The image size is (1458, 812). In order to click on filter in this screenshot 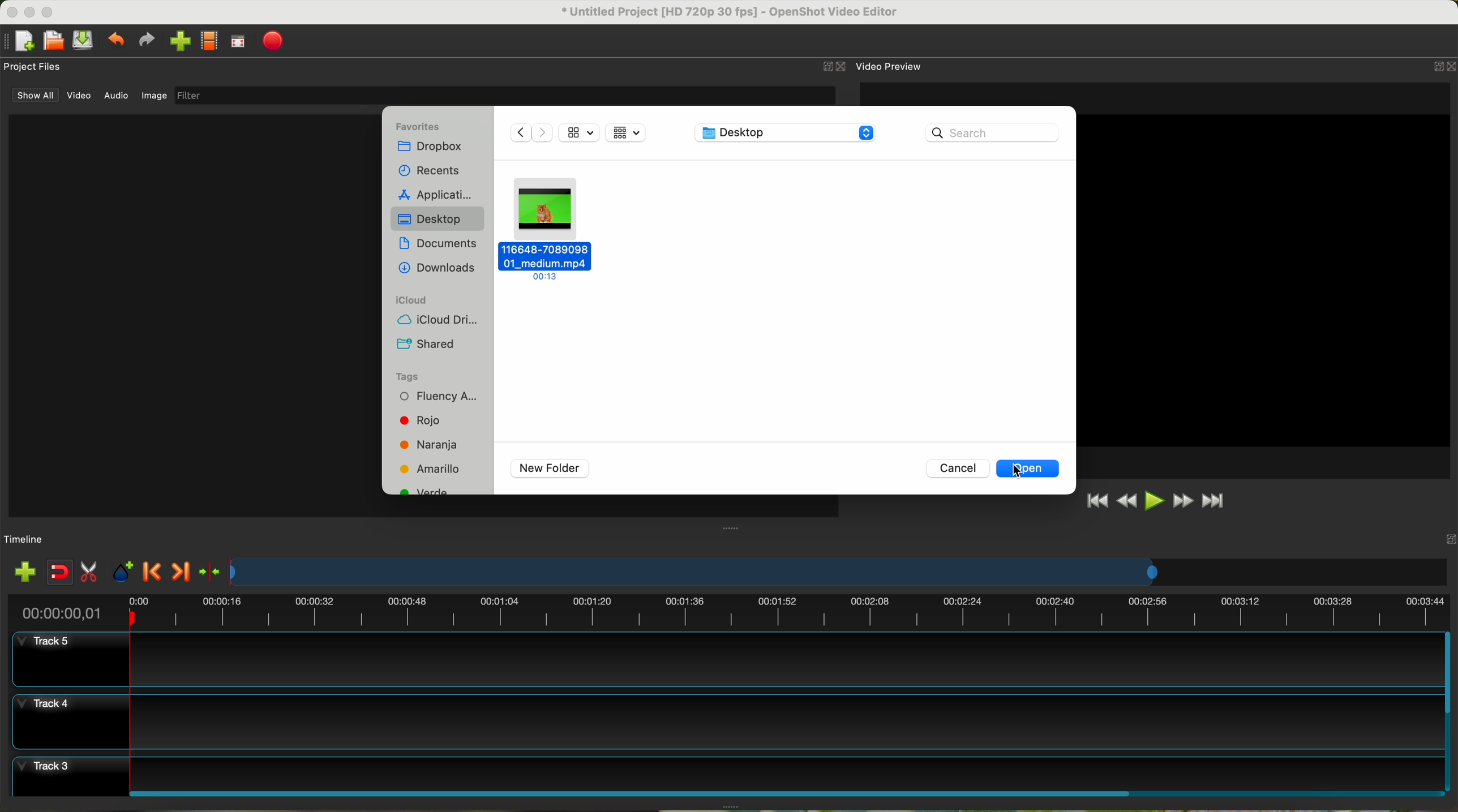, I will do `click(504, 95)`.